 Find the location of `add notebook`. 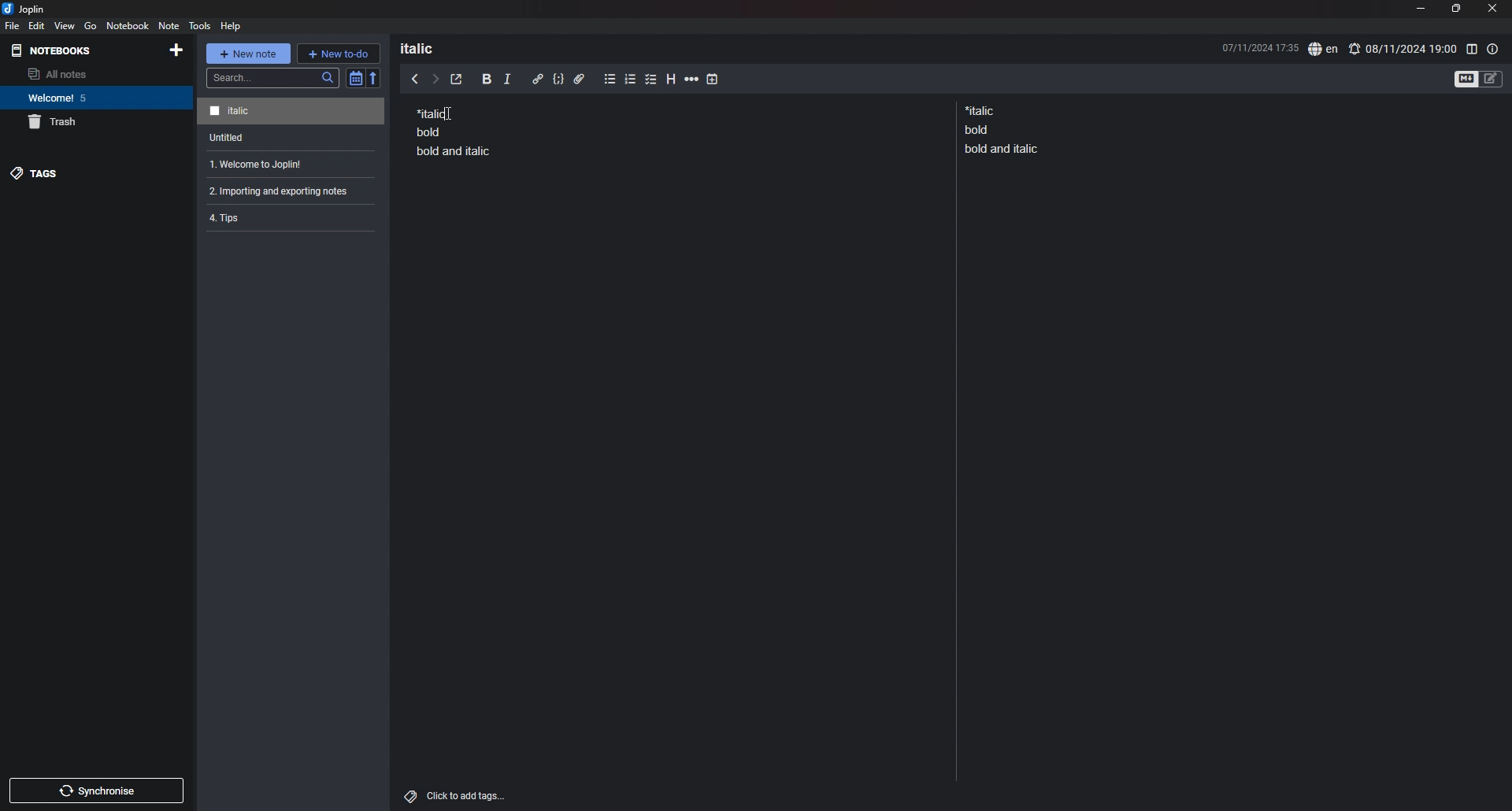

add notebook is located at coordinates (175, 50).